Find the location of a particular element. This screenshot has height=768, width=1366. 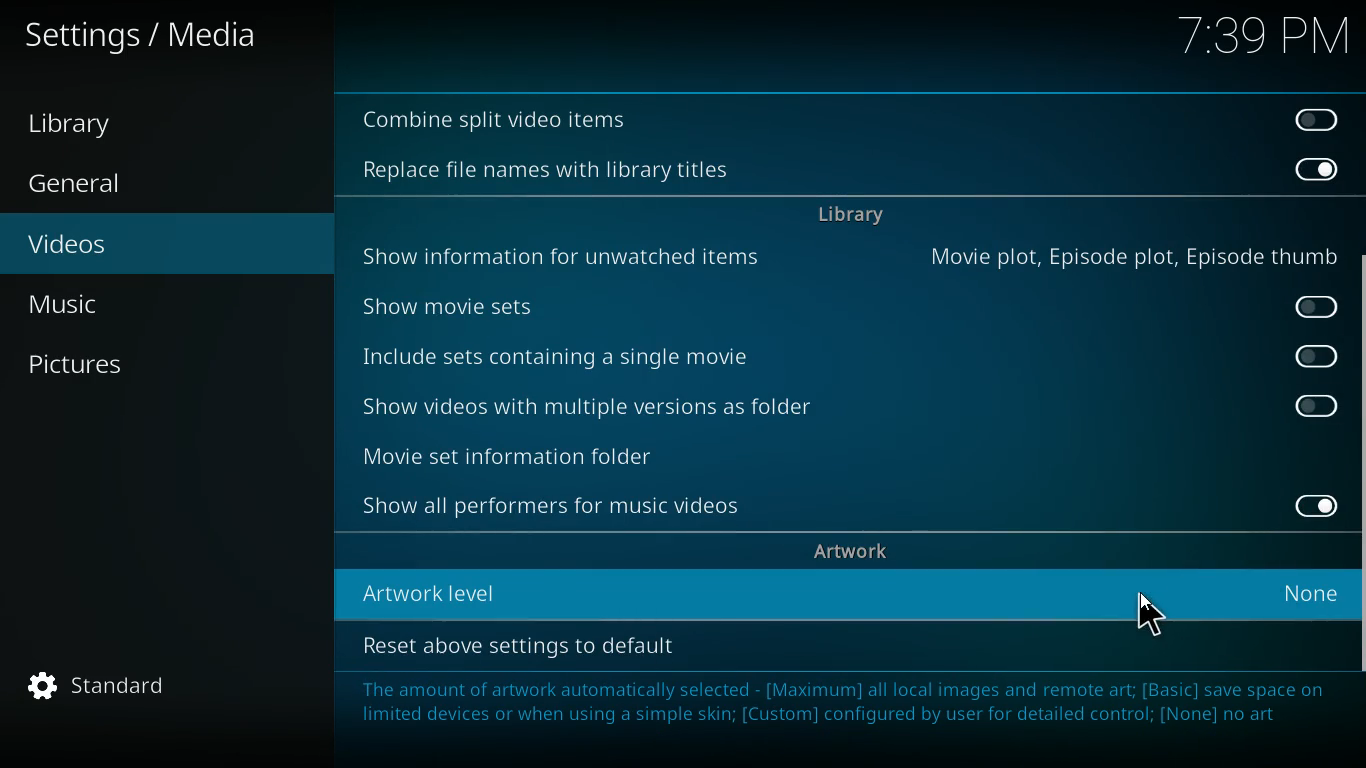

time is located at coordinates (1260, 38).